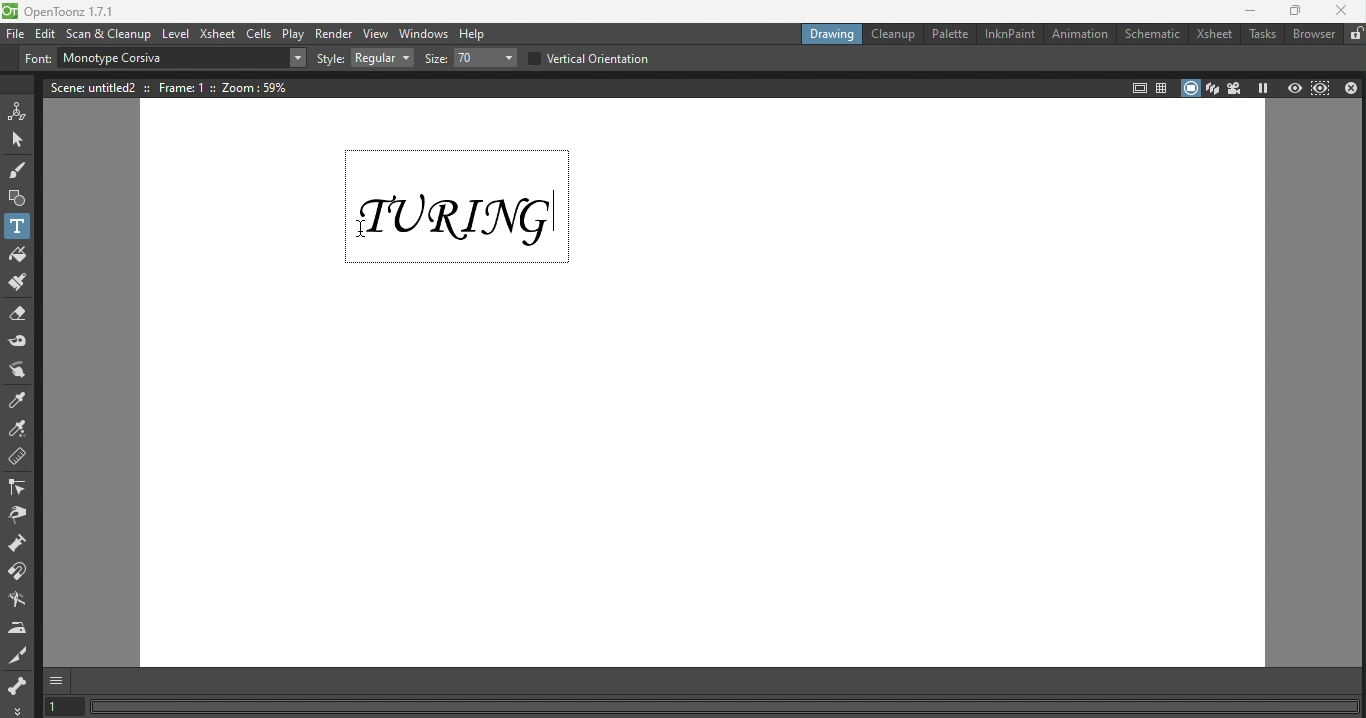 The width and height of the screenshot is (1366, 718). What do you see at coordinates (826, 35) in the screenshot?
I see `Drawing` at bounding box center [826, 35].